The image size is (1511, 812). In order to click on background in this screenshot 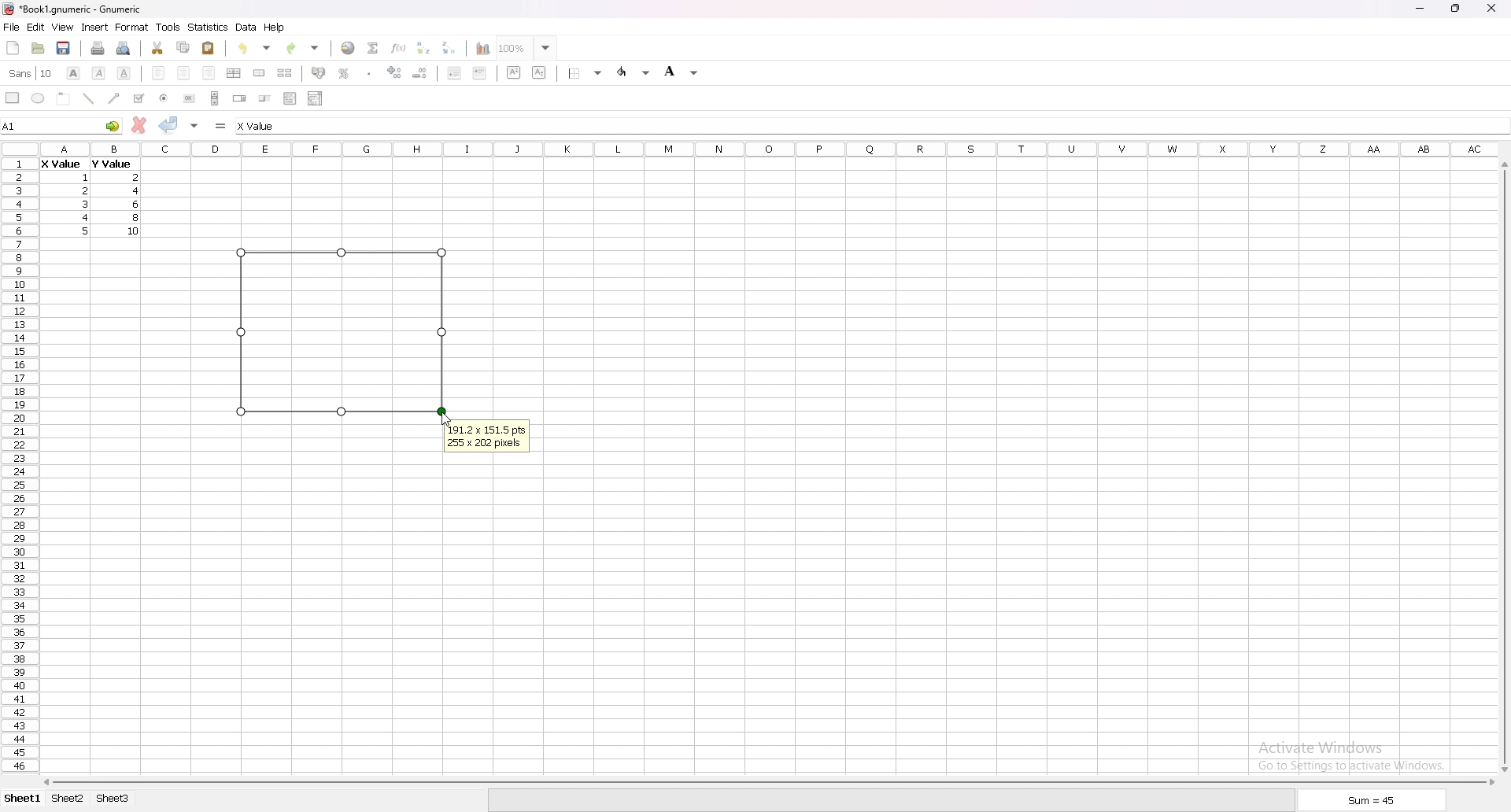, I will do `click(682, 71)`.